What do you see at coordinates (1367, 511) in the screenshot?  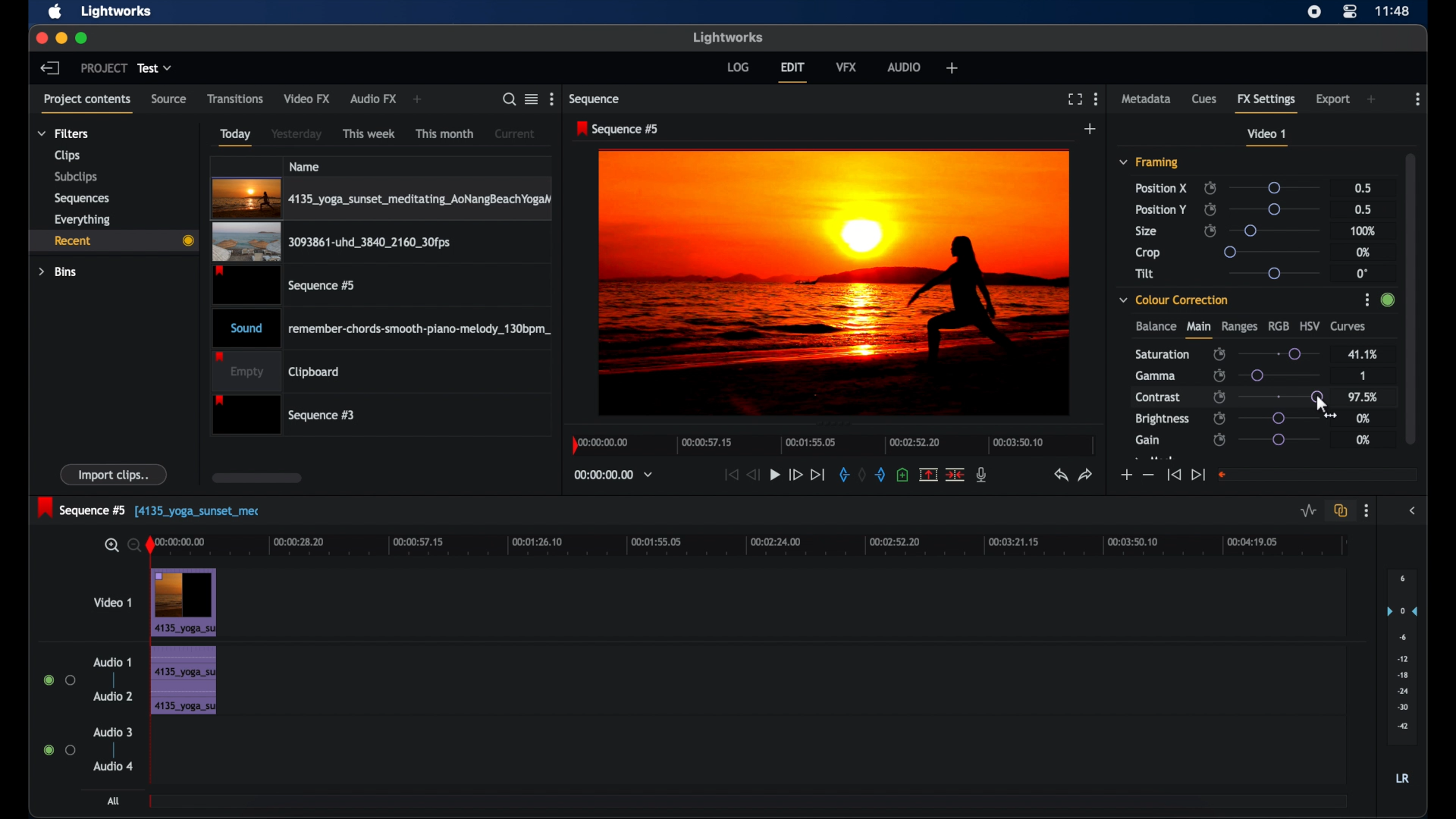 I see `more options` at bounding box center [1367, 511].